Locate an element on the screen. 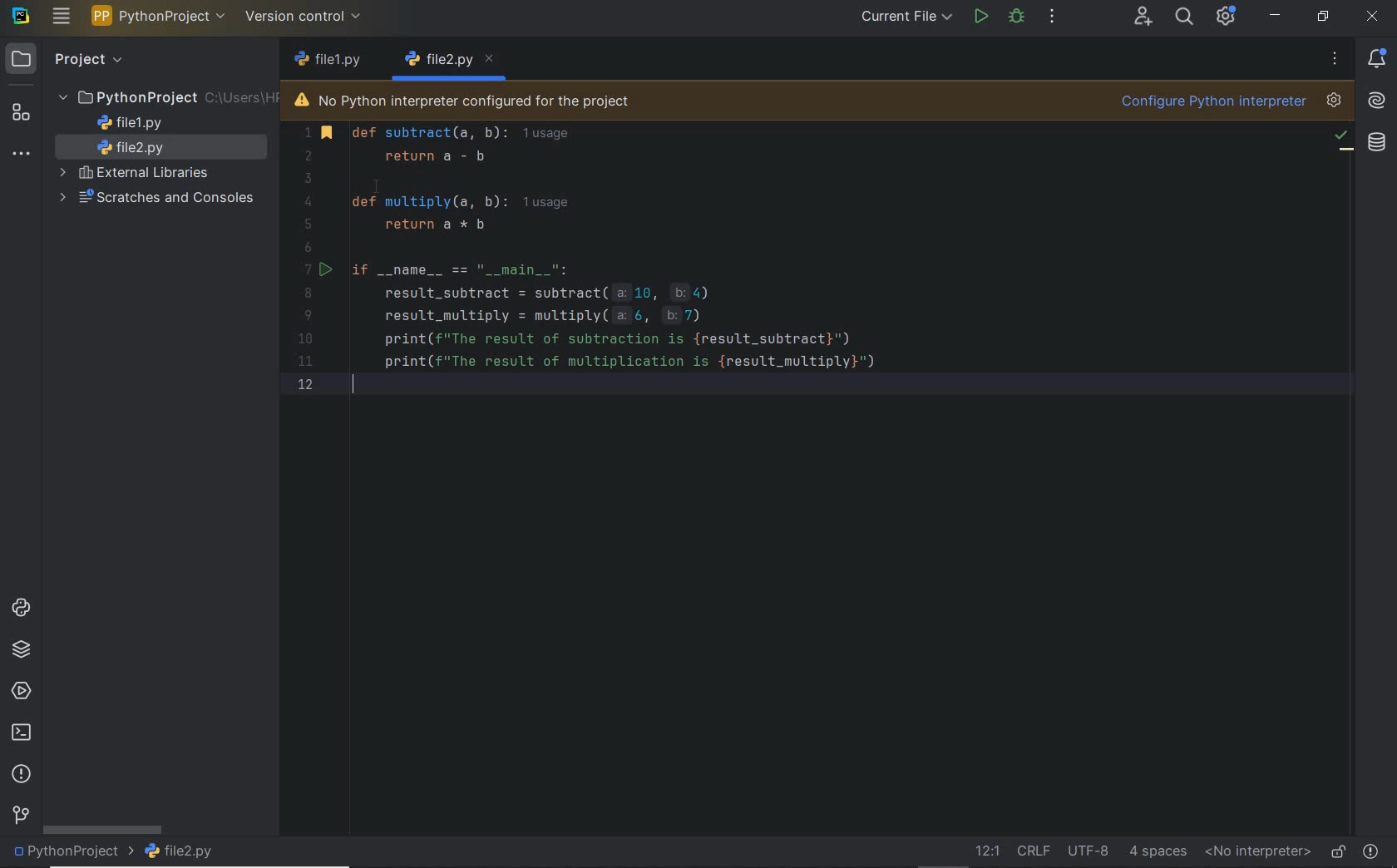  structure is located at coordinates (25, 115).